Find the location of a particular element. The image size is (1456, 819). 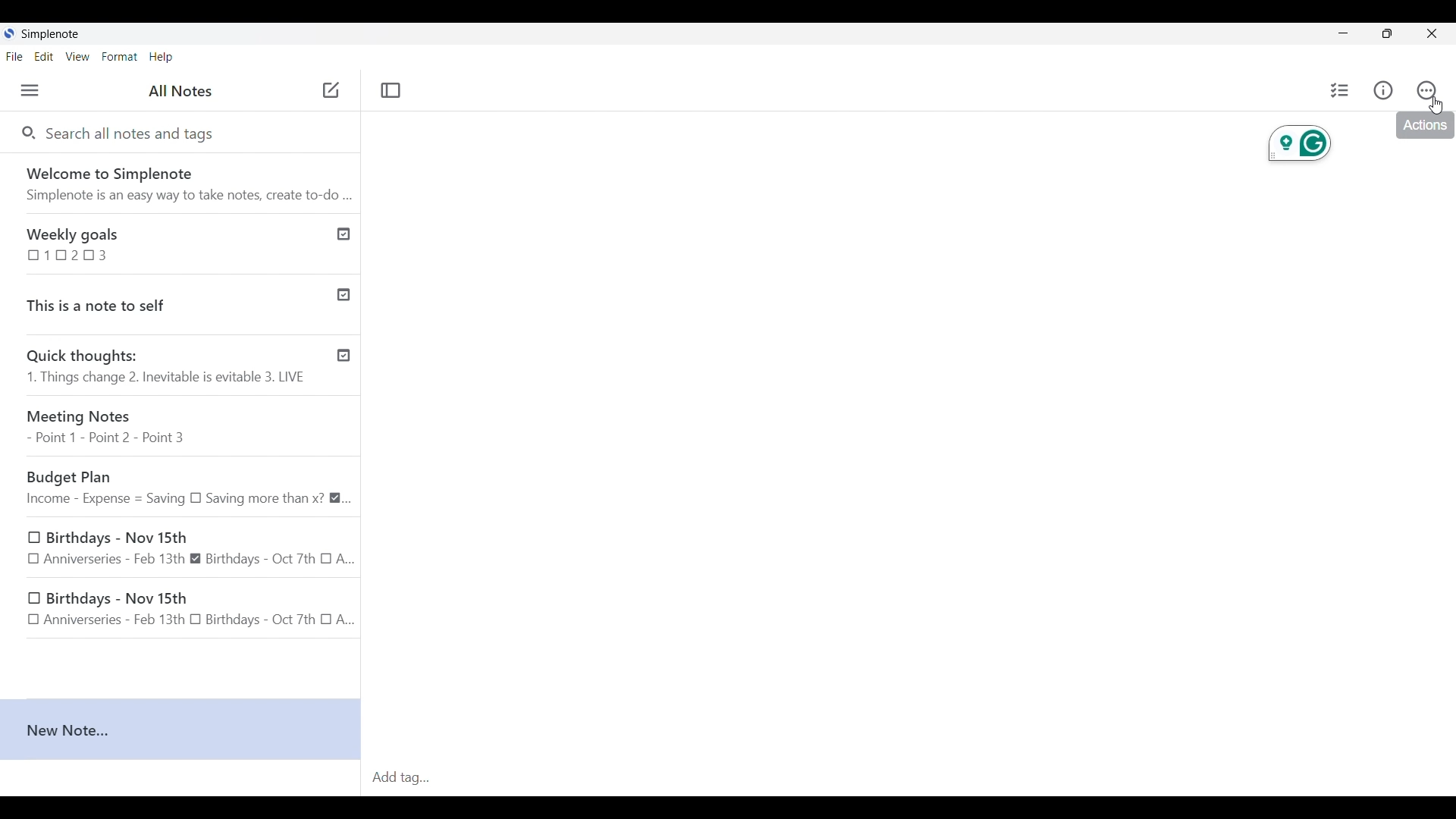

View menu is located at coordinates (78, 57).